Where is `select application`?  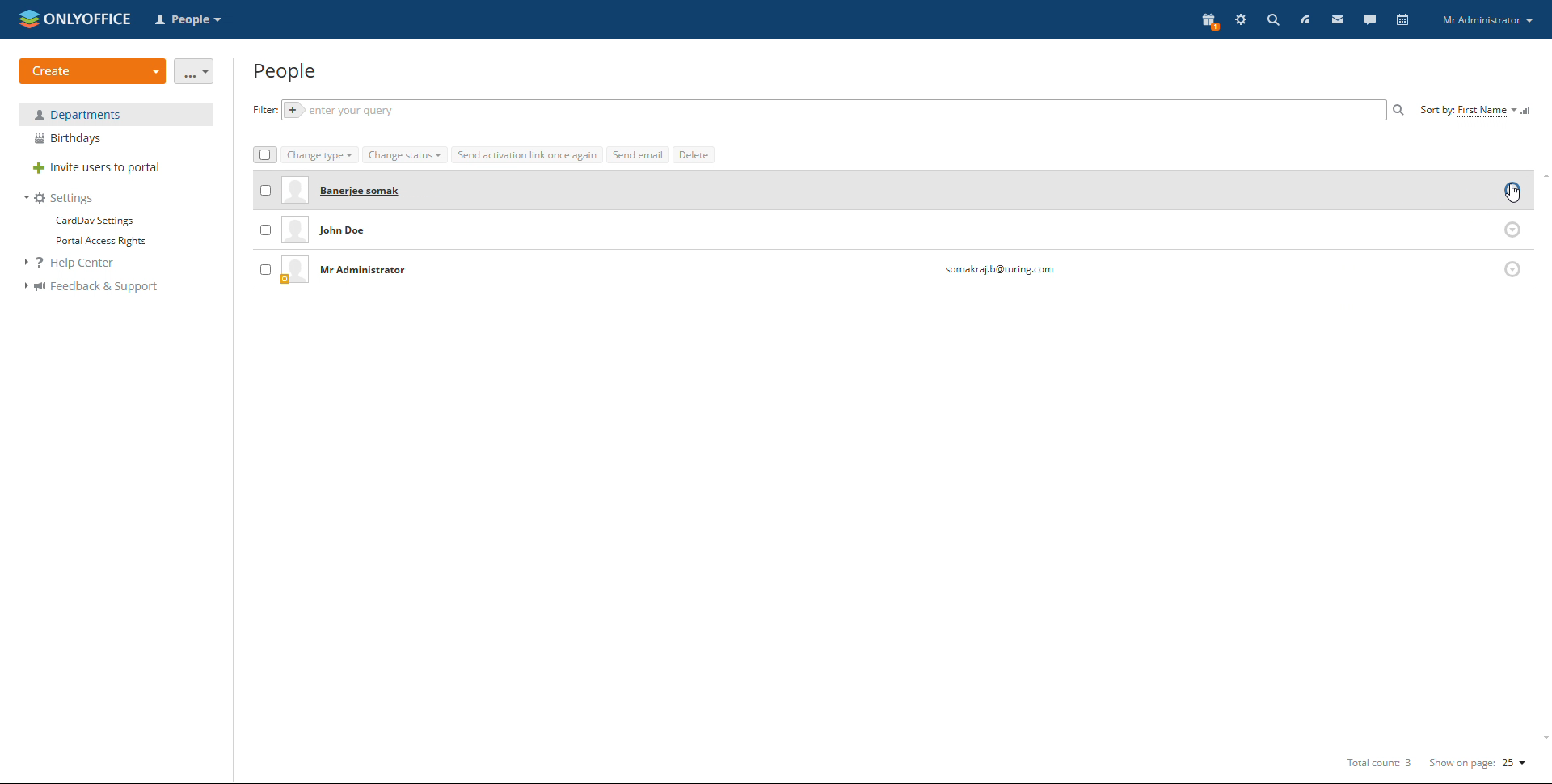 select application is located at coordinates (191, 20).